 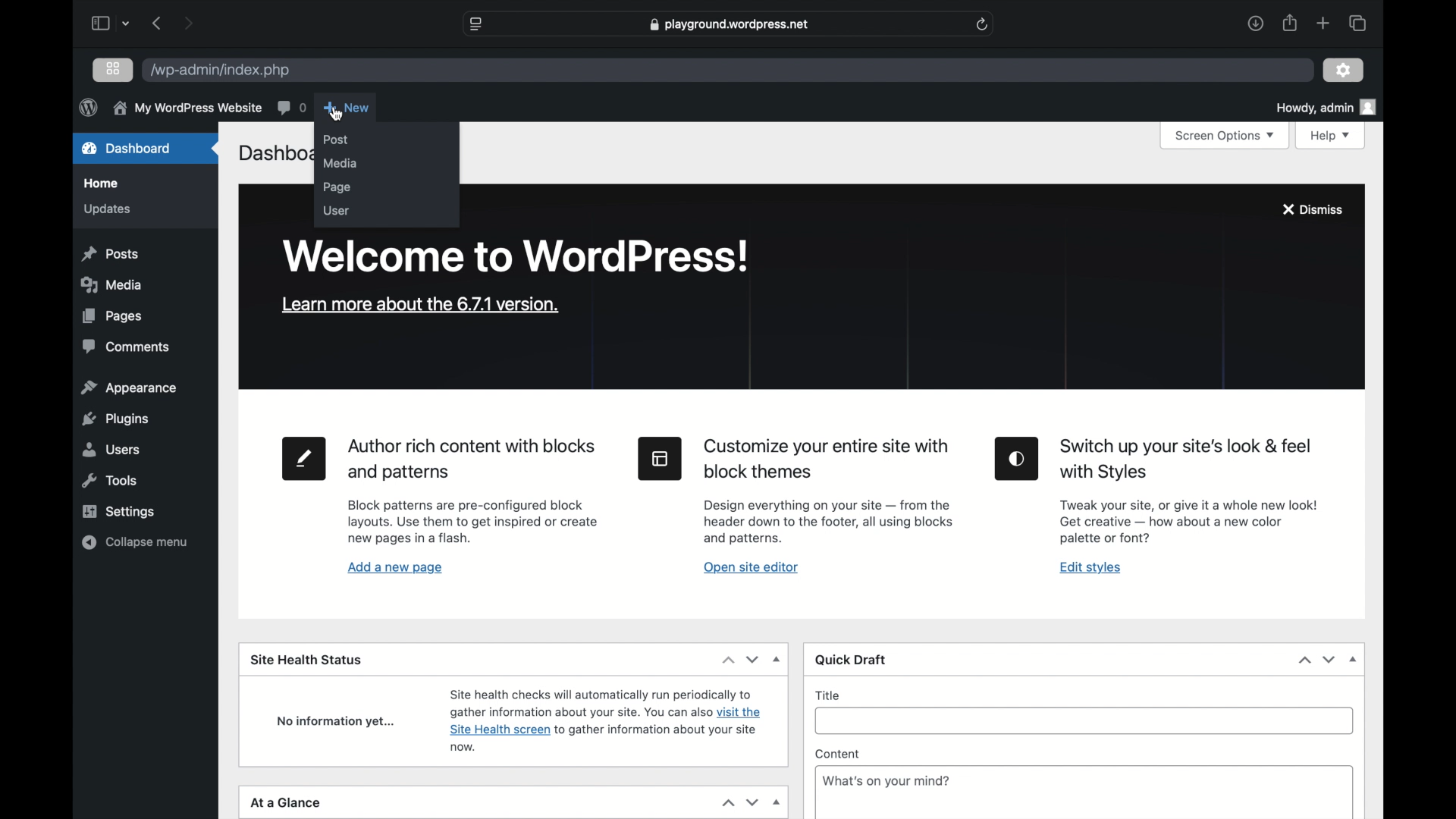 I want to click on dismiss, so click(x=1312, y=209).